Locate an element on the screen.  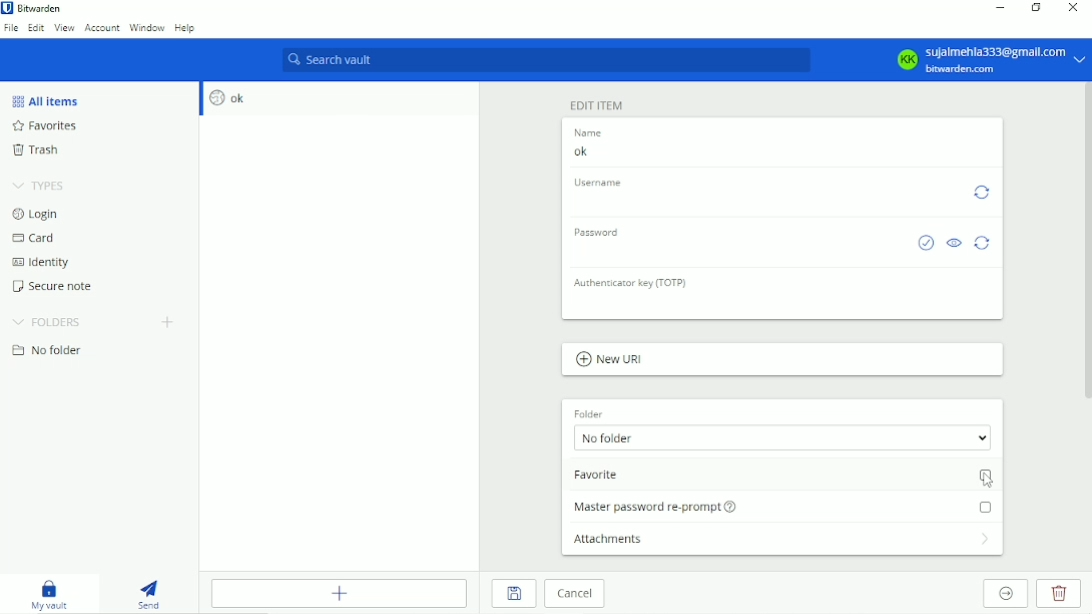
Name  is located at coordinates (592, 133).